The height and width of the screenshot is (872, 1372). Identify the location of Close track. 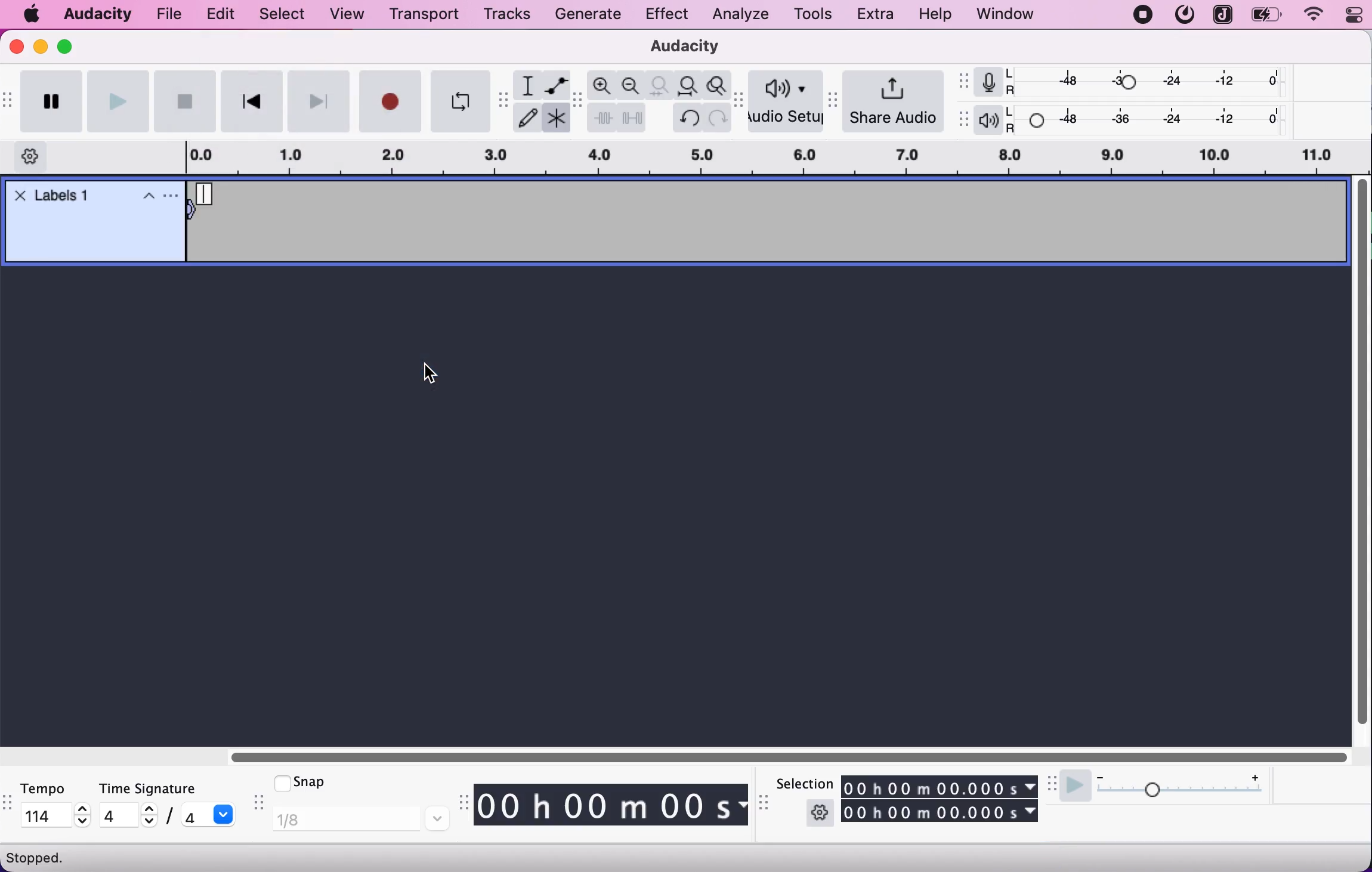
(20, 195).